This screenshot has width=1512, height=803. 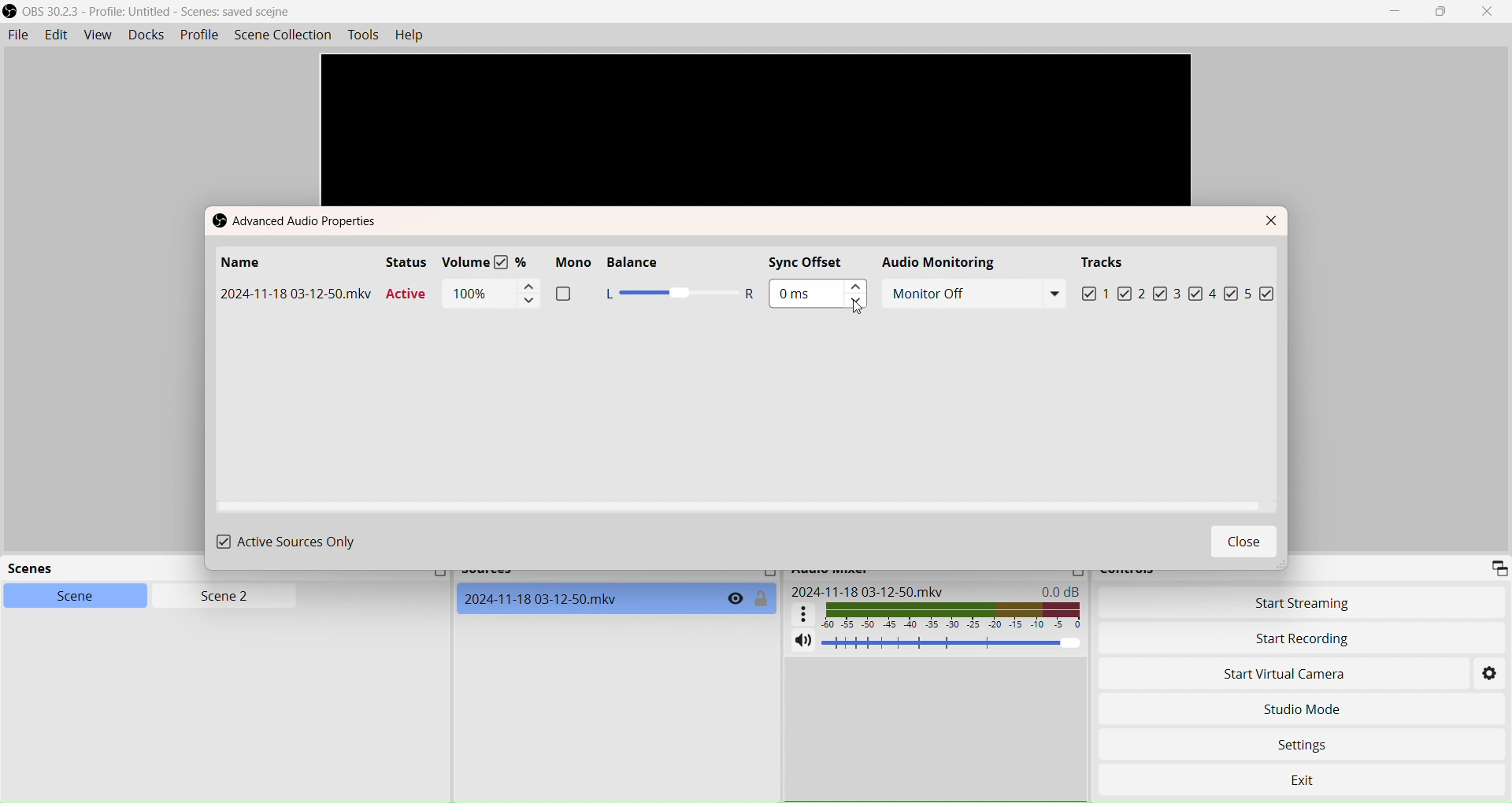 What do you see at coordinates (54, 35) in the screenshot?
I see `Edit` at bounding box center [54, 35].